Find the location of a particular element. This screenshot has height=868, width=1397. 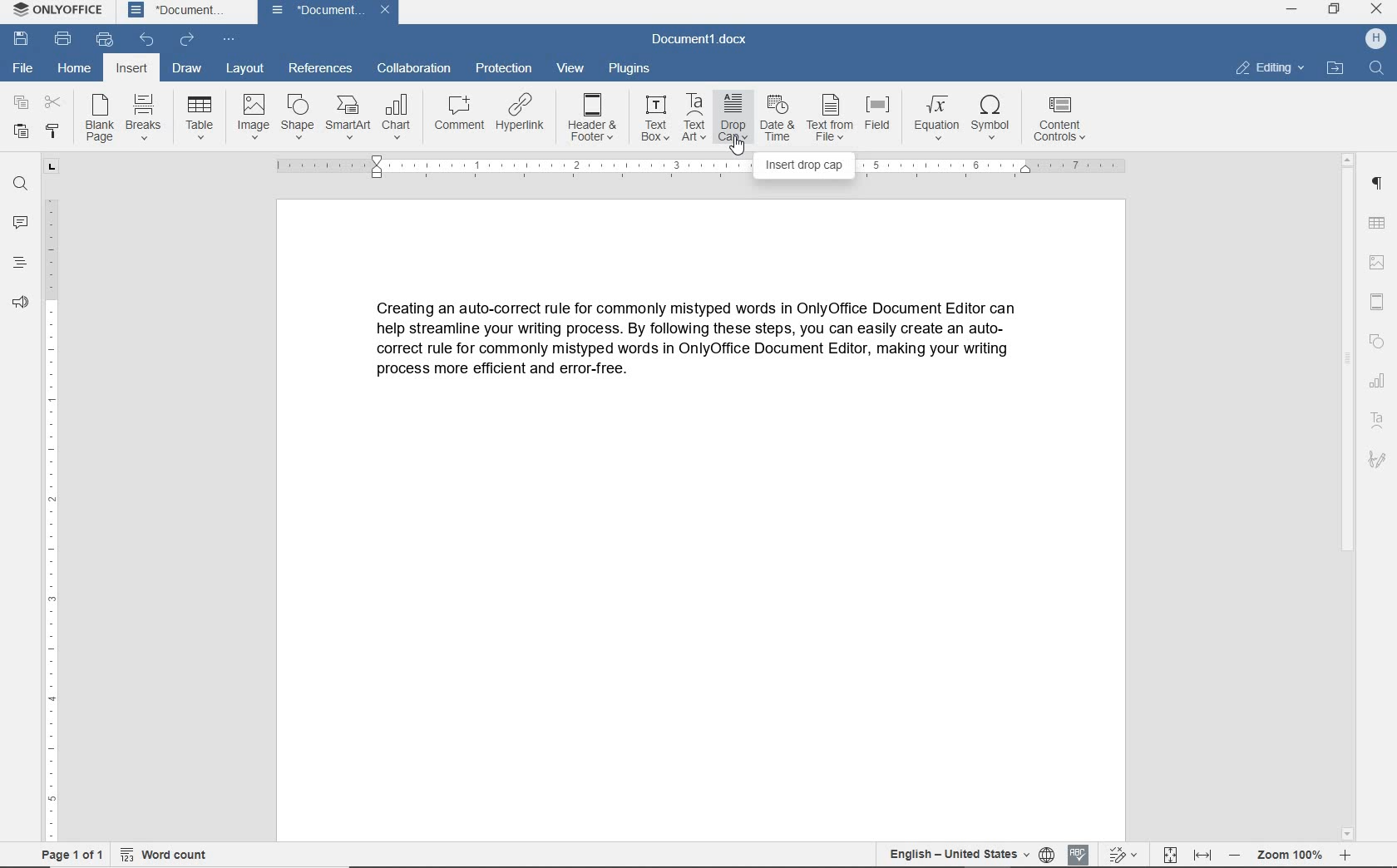

references is located at coordinates (318, 68).